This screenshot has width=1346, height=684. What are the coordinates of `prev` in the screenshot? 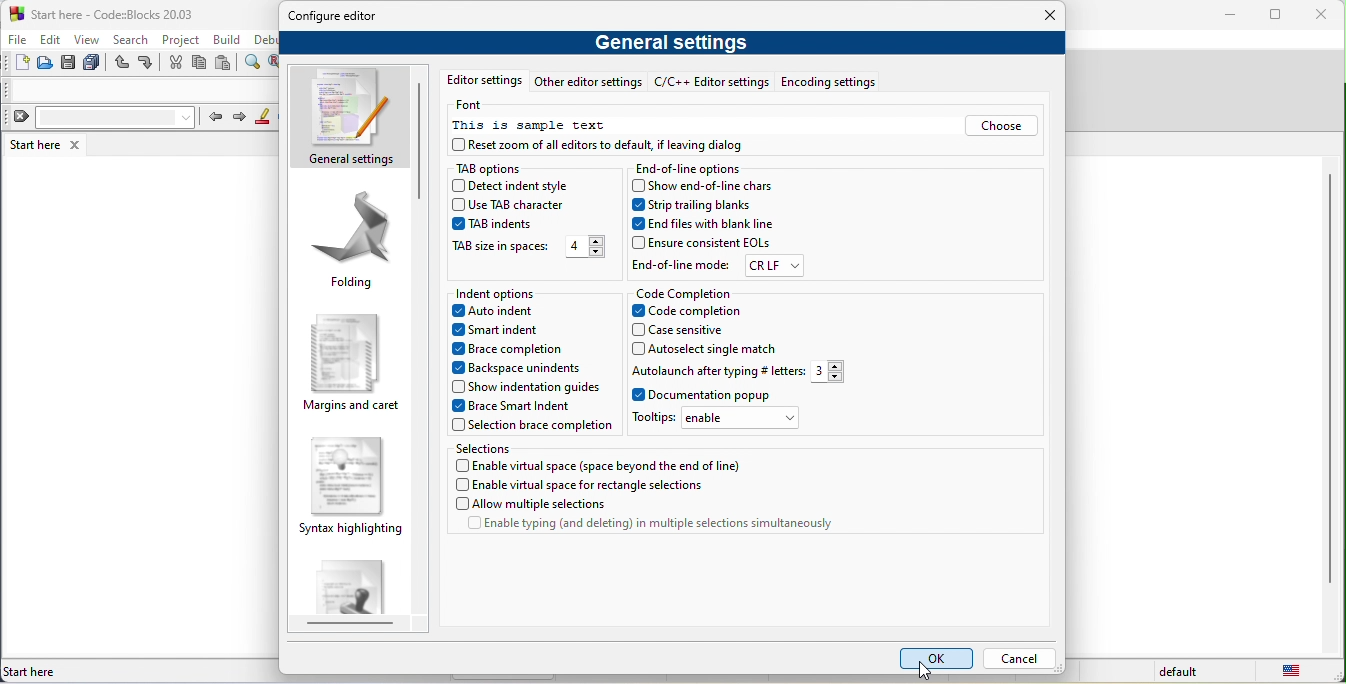 It's located at (219, 116).